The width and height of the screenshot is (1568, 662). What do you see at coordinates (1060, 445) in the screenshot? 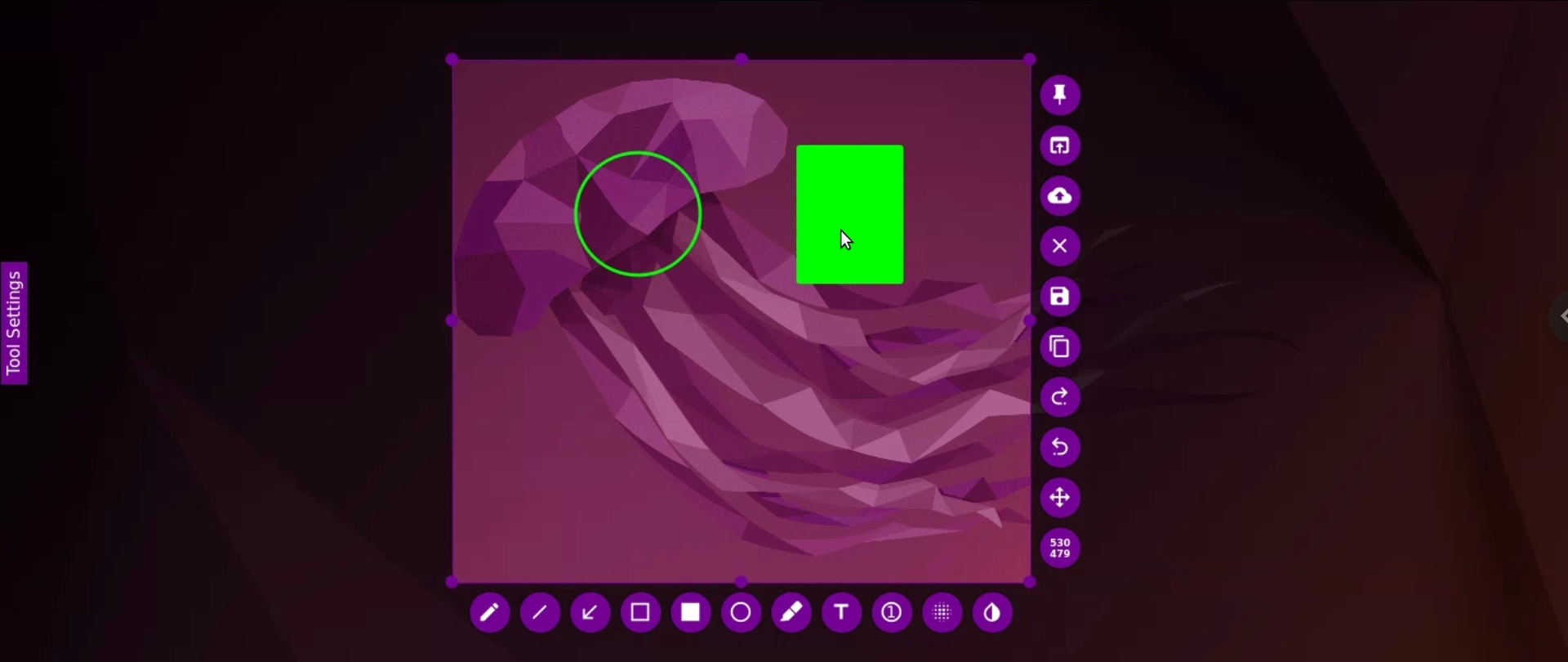
I see `redo` at bounding box center [1060, 445].